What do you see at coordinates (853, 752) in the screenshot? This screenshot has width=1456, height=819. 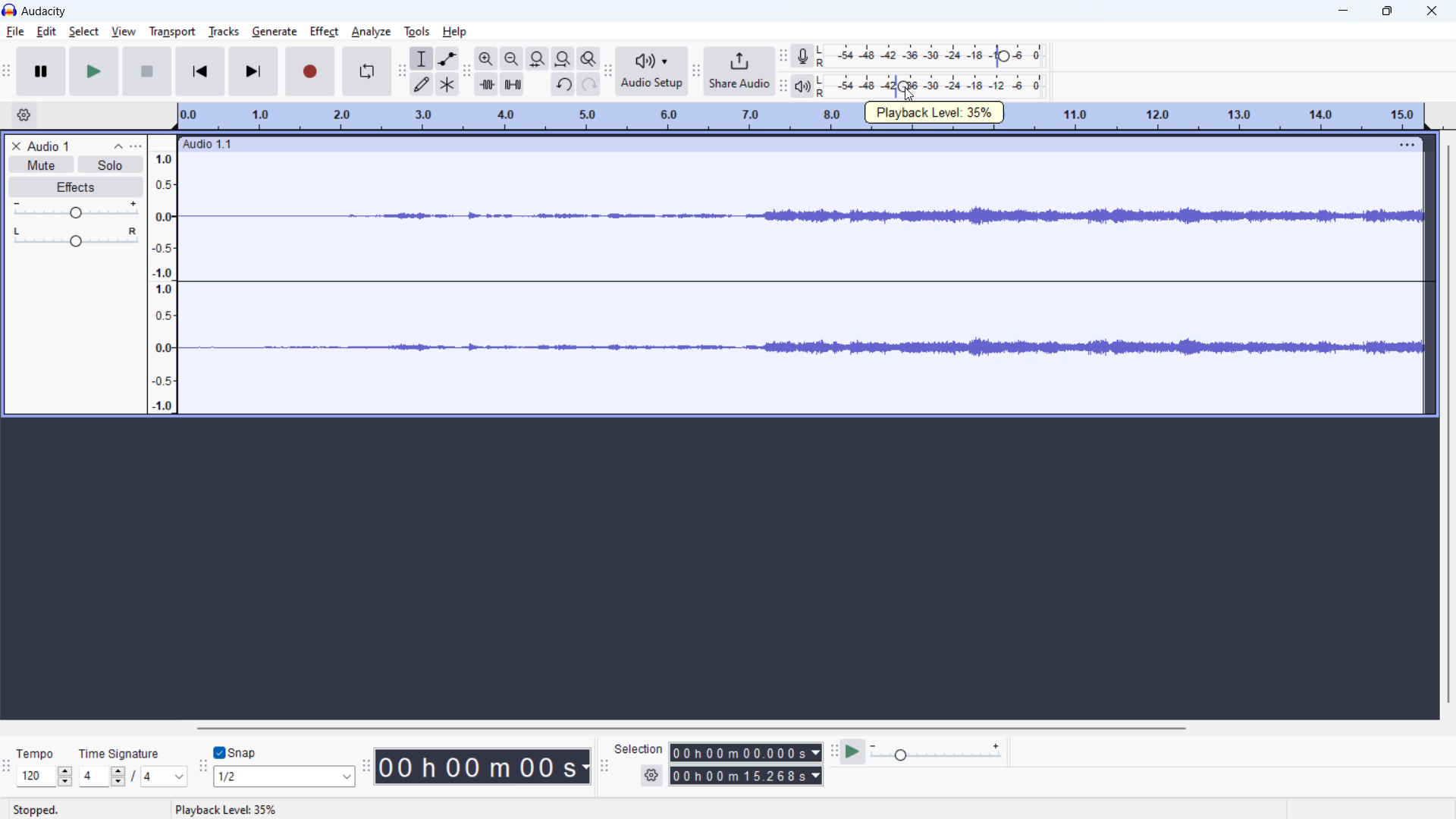 I see `play at speed` at bounding box center [853, 752].